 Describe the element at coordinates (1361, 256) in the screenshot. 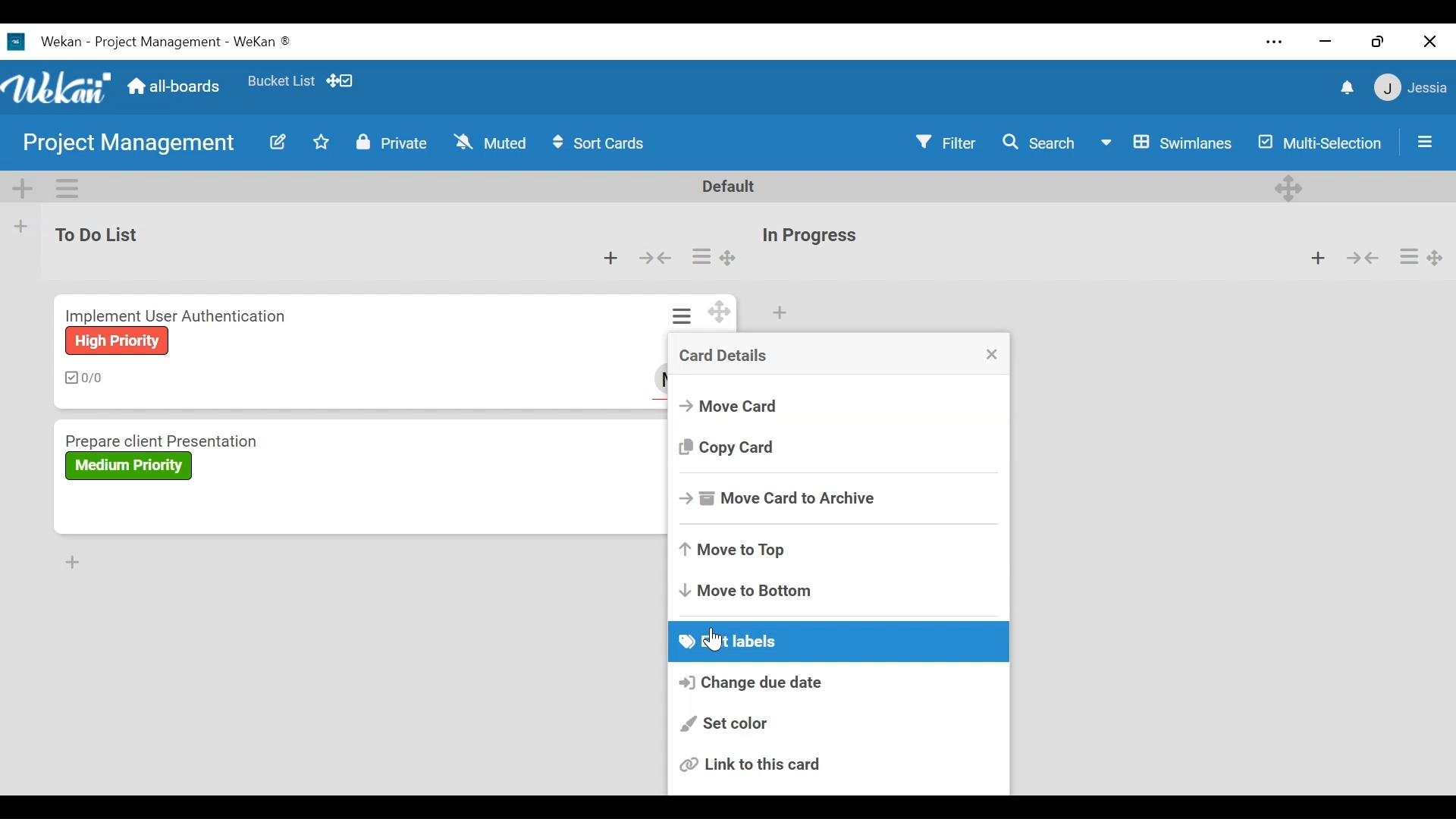

I see `Collapse` at that location.